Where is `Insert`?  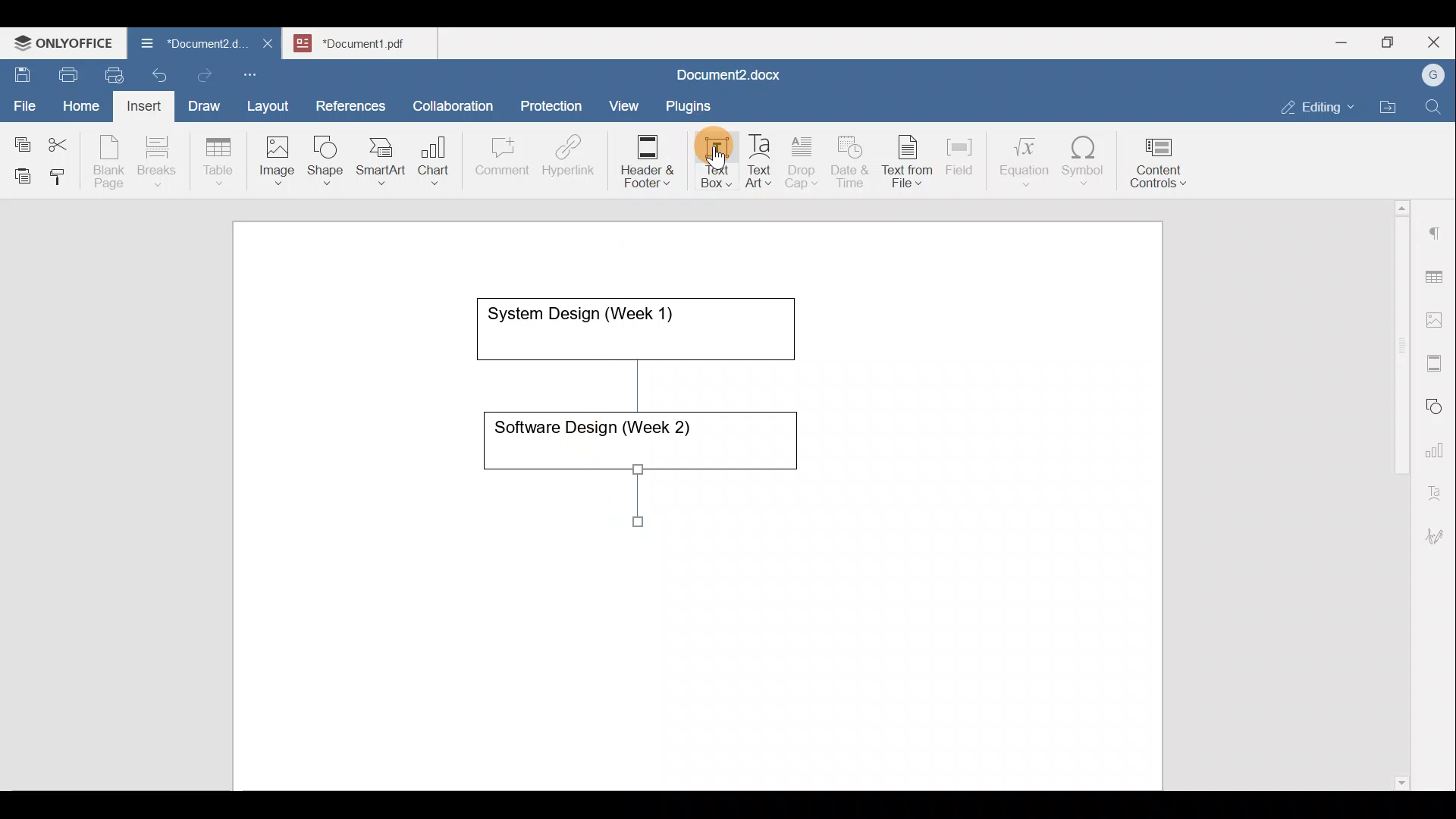
Insert is located at coordinates (140, 103).